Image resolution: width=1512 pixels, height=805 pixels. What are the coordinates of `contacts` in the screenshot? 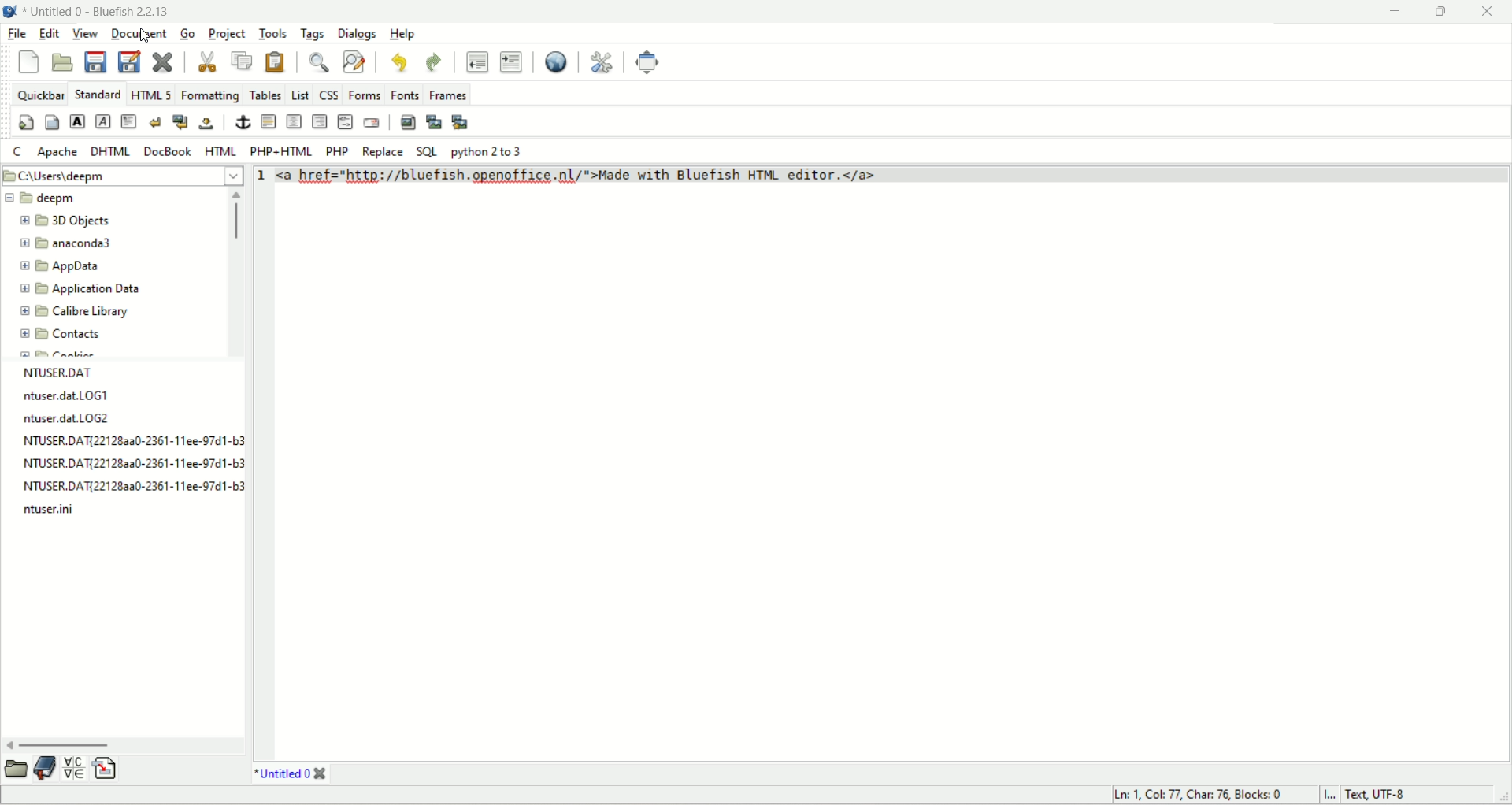 It's located at (70, 335).